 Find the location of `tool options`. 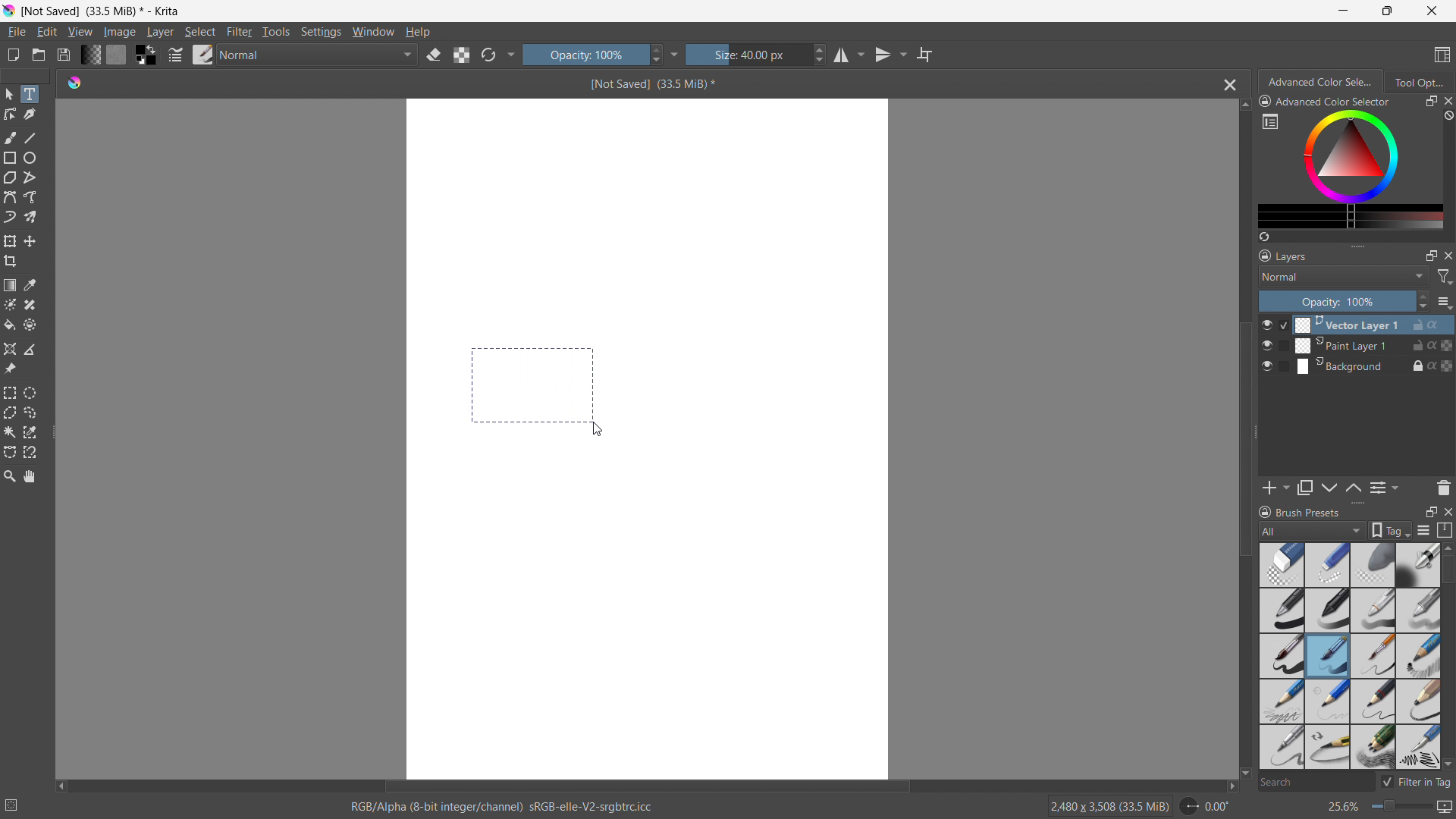

tool options is located at coordinates (1418, 81).